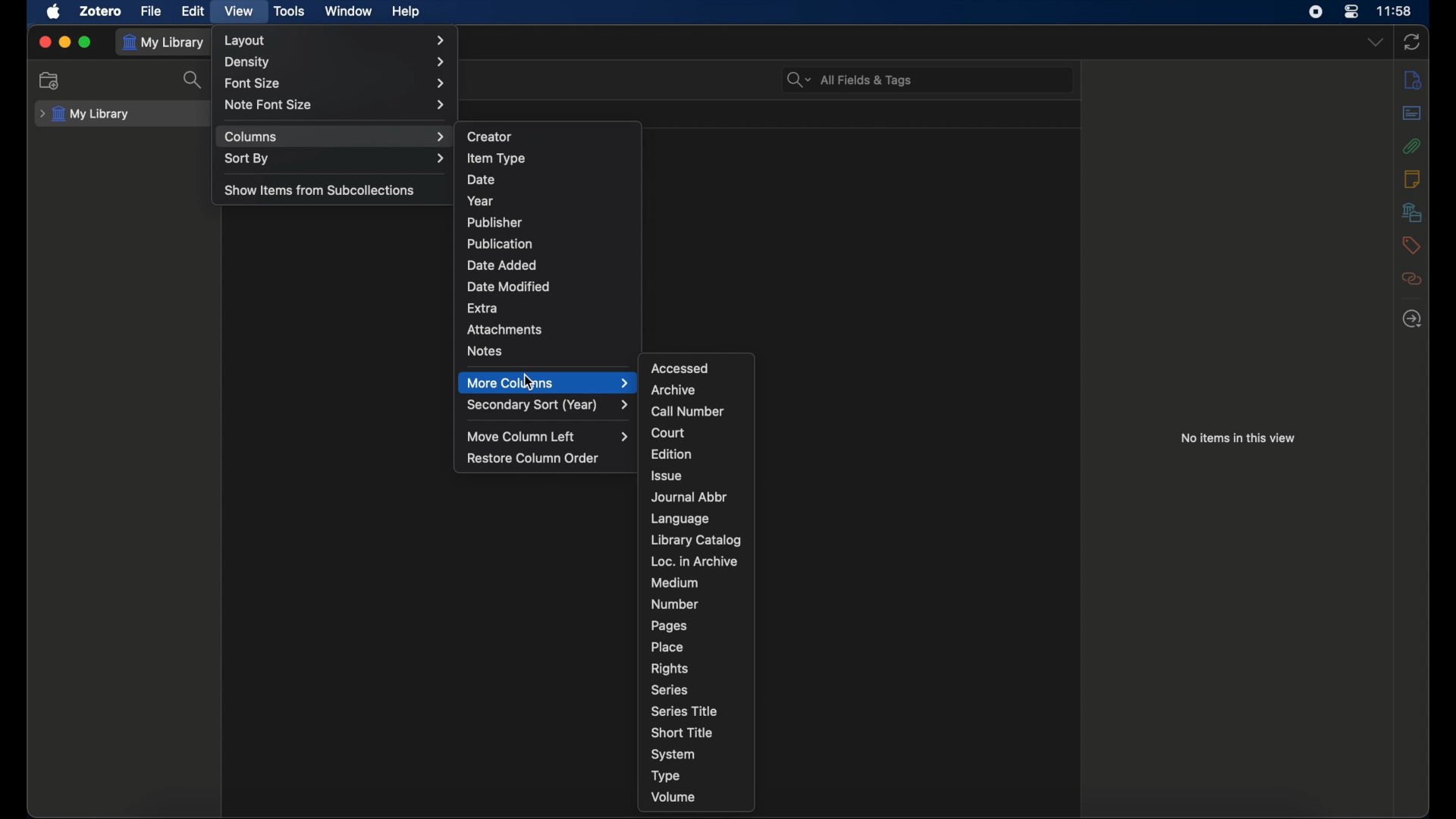  I want to click on my library, so click(85, 115).